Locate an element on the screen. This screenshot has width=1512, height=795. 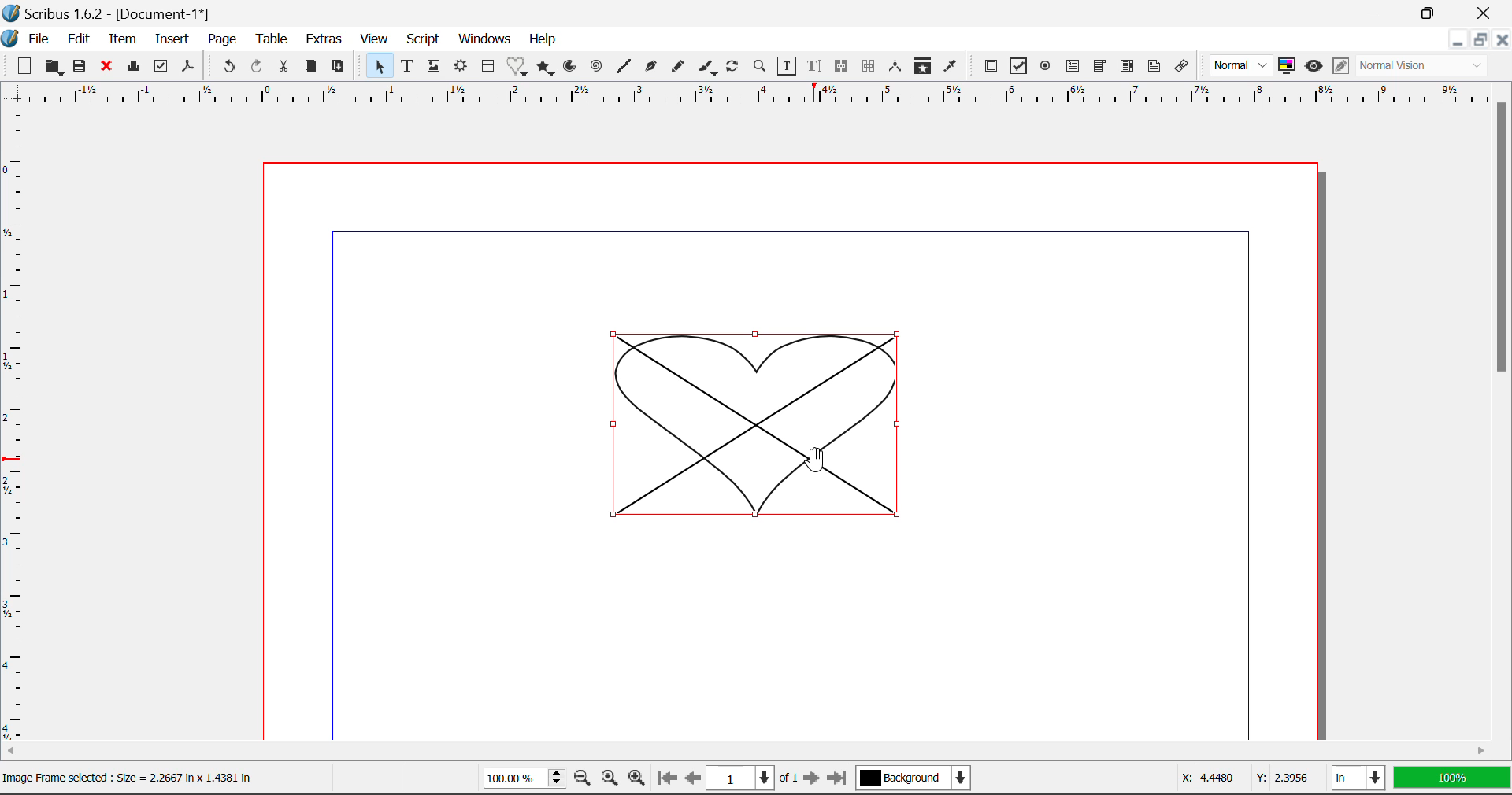
Normal is located at coordinates (1243, 65).